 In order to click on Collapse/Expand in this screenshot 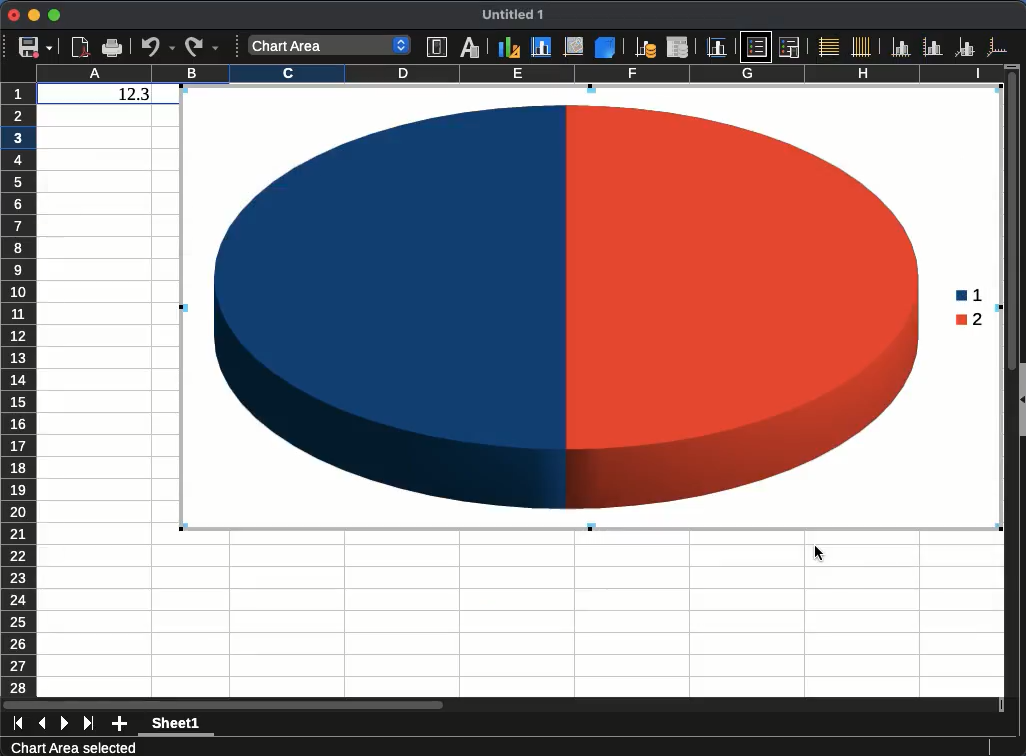, I will do `click(1023, 400)`.